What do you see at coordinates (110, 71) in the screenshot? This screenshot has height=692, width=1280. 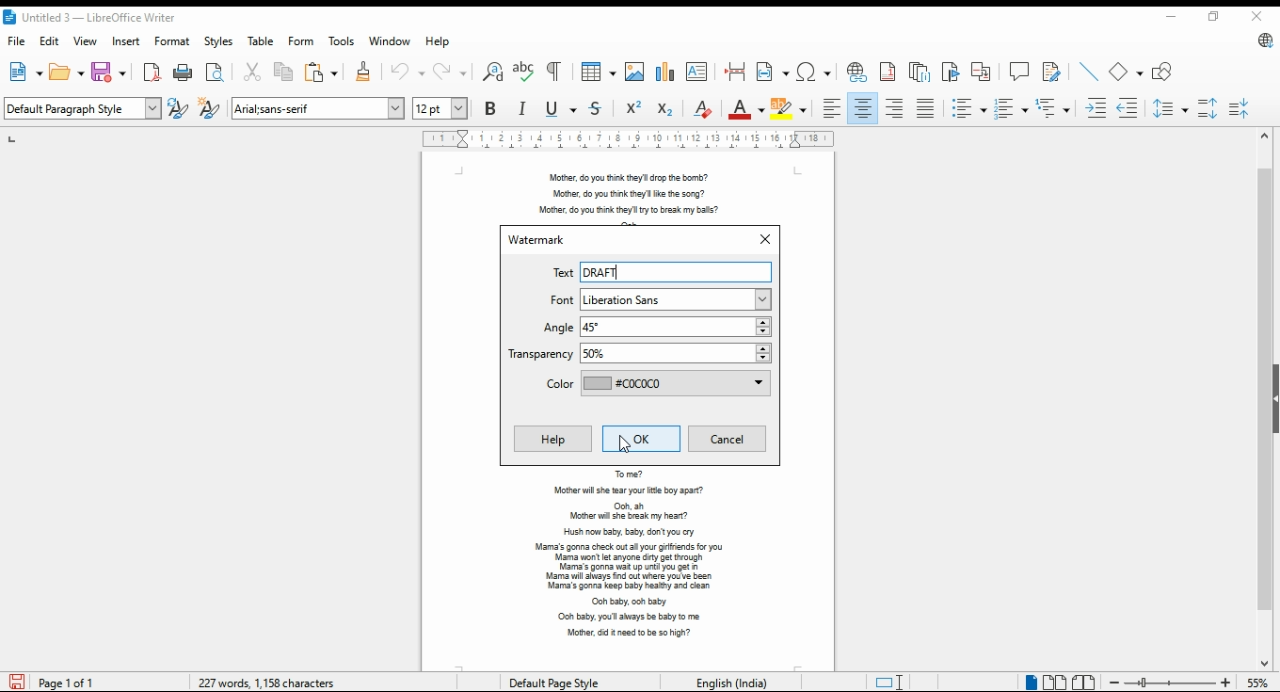 I see `save` at bounding box center [110, 71].